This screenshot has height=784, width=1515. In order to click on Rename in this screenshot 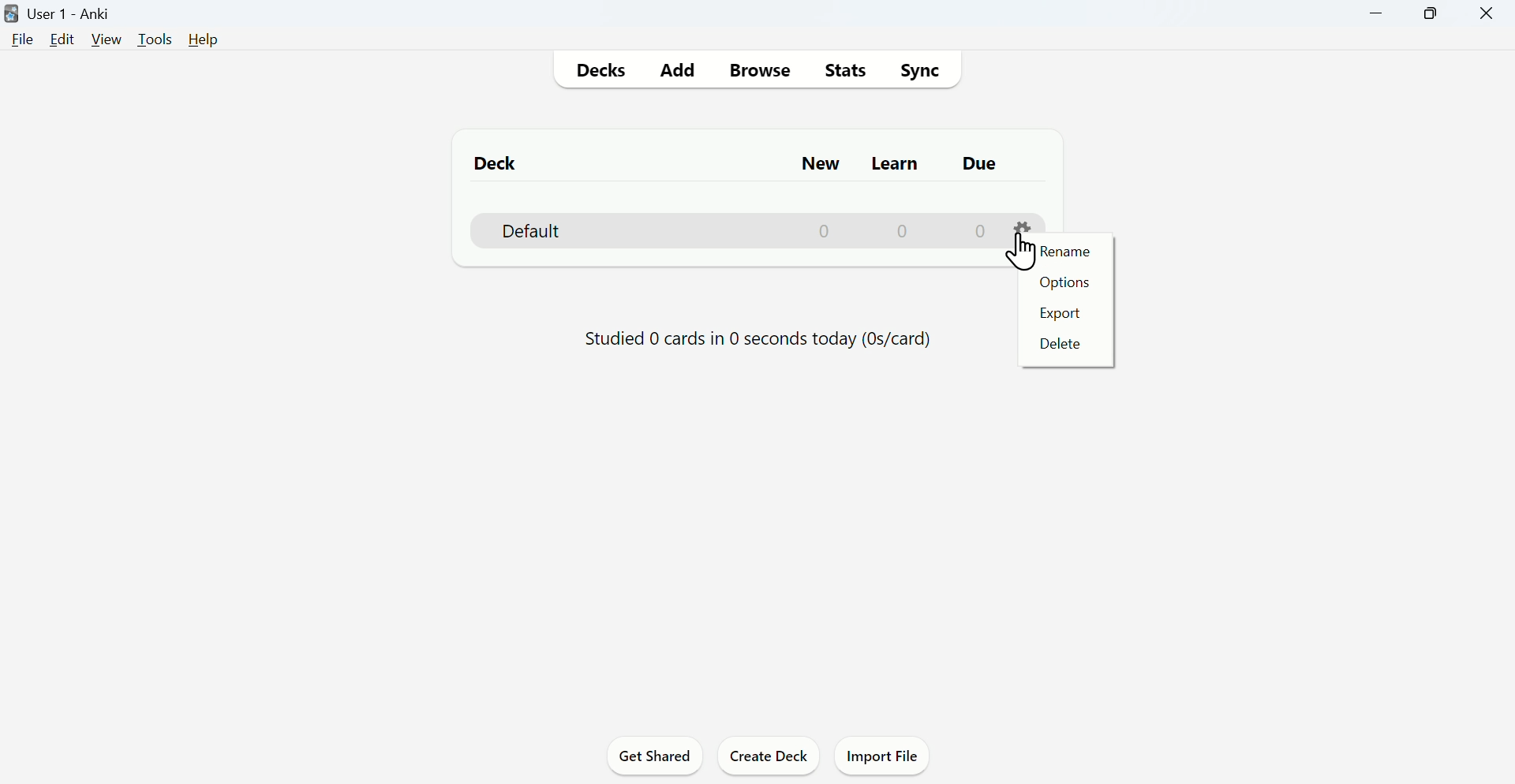, I will do `click(1071, 252)`.